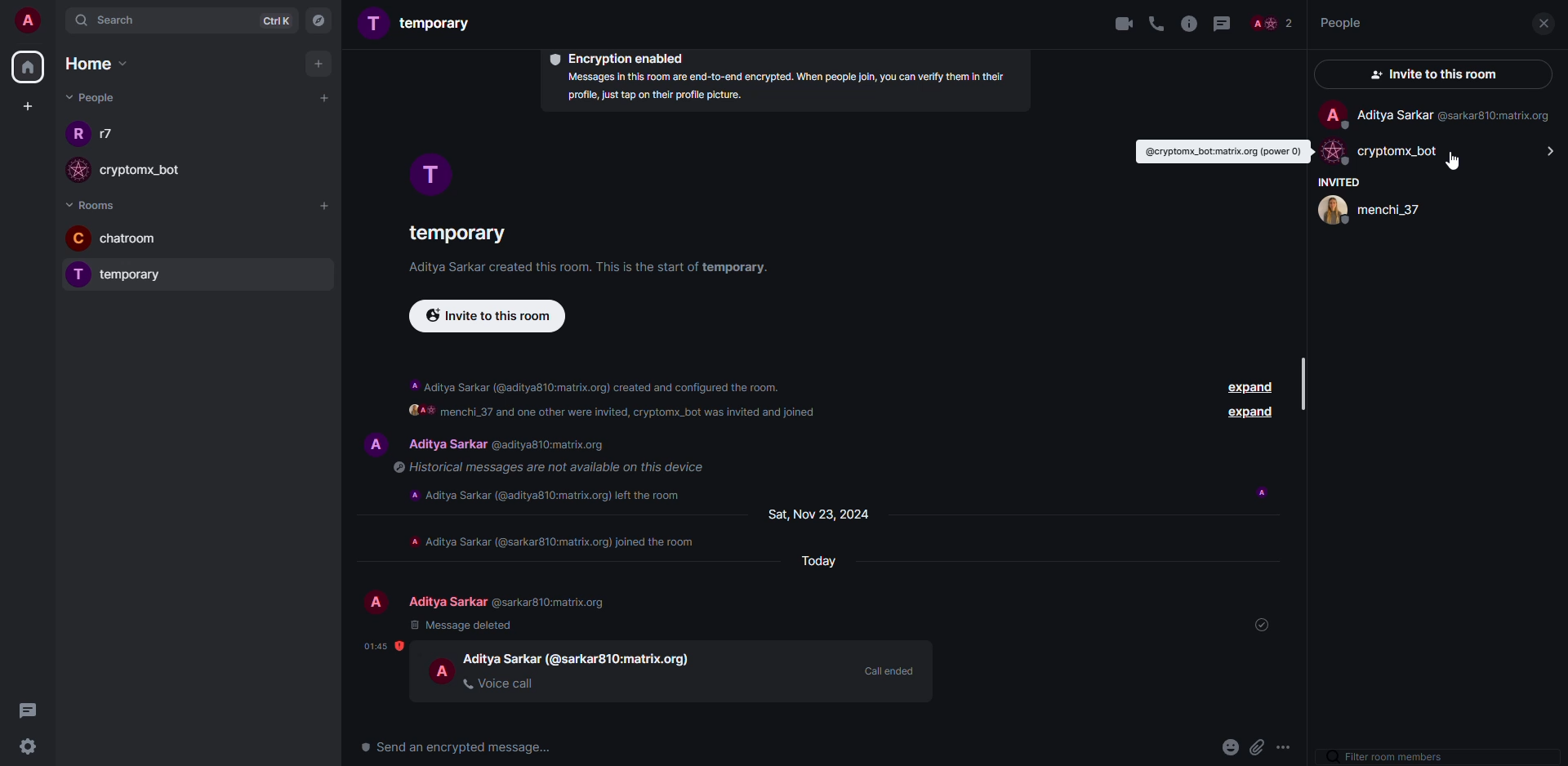  Describe the element at coordinates (373, 442) in the screenshot. I see `profile` at that location.